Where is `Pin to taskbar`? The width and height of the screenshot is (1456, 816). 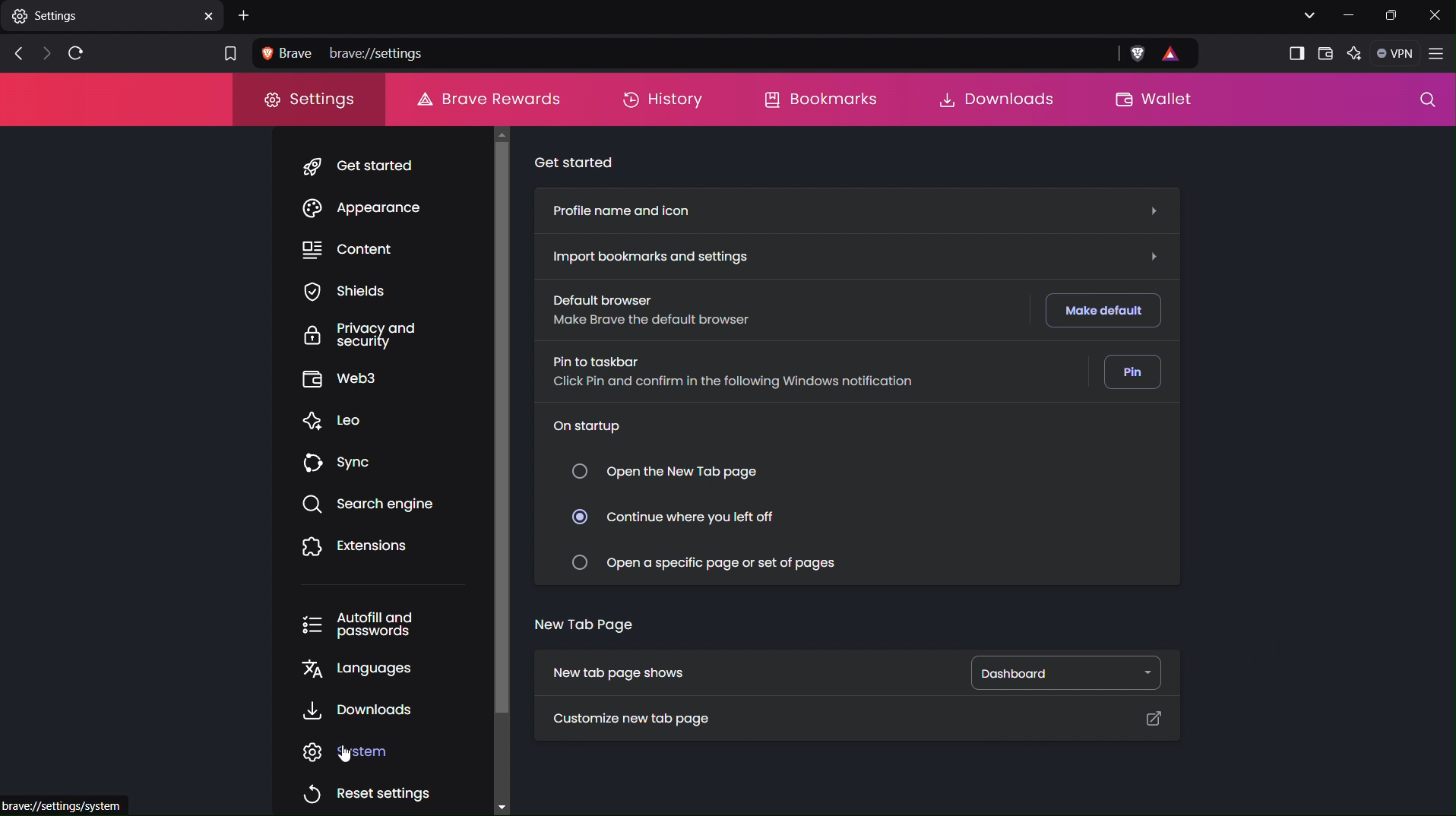
Pin to taskbar is located at coordinates (732, 369).